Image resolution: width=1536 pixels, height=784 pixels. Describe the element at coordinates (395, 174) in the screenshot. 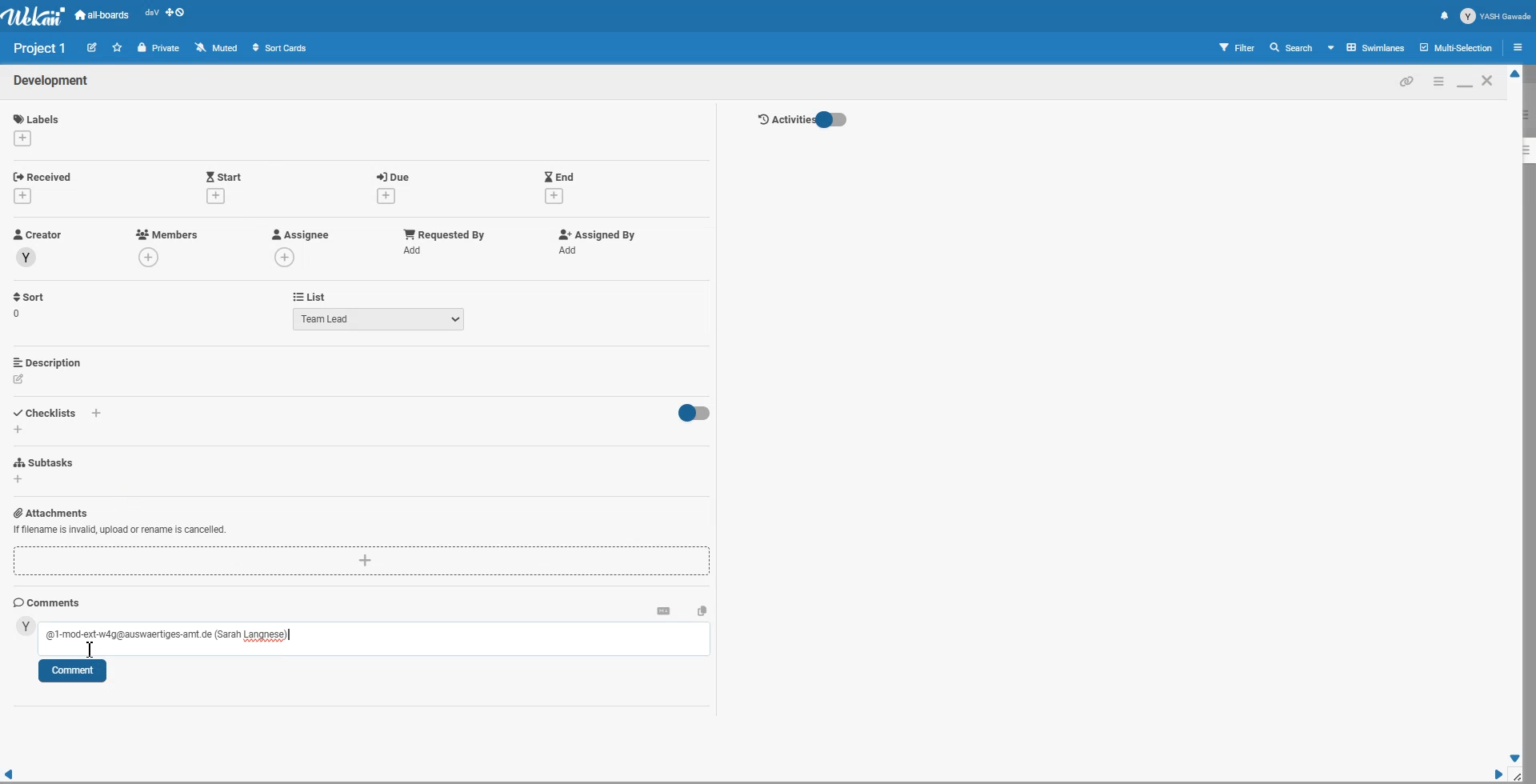

I see `Add Due date` at that location.